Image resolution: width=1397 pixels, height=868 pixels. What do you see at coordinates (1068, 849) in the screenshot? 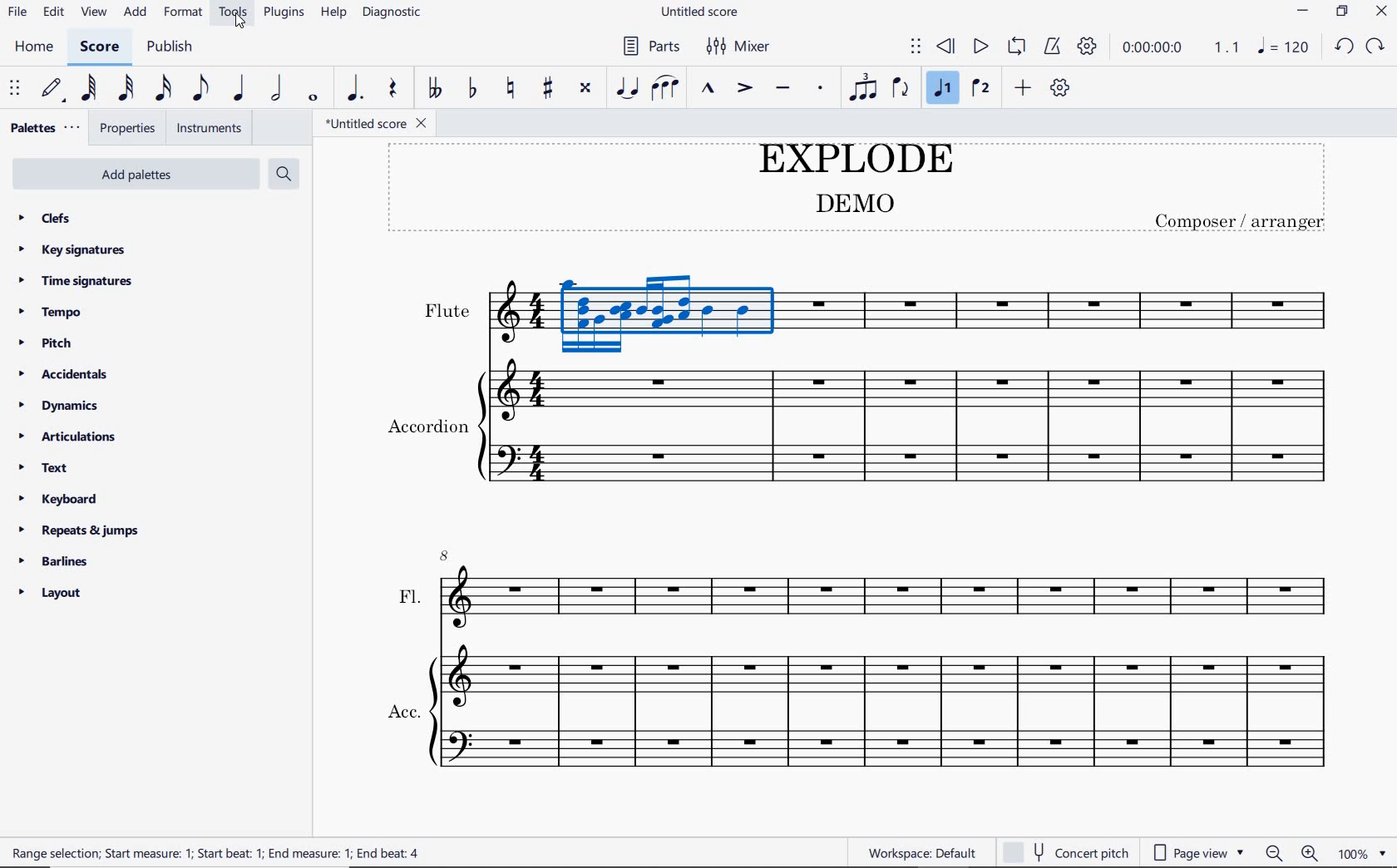
I see `concert pitch` at bounding box center [1068, 849].